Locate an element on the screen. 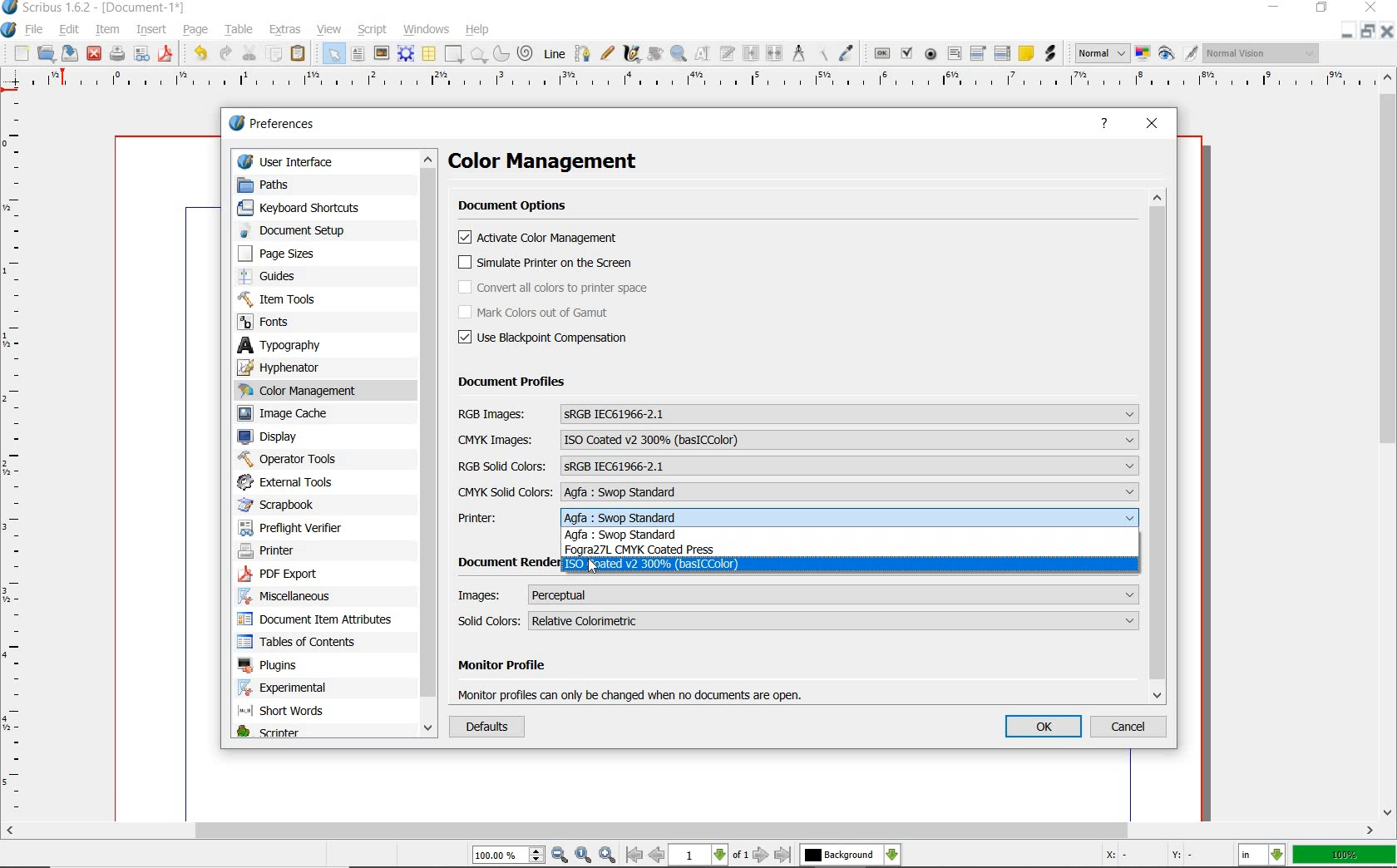 The height and width of the screenshot is (868, 1397). save is located at coordinates (168, 52).